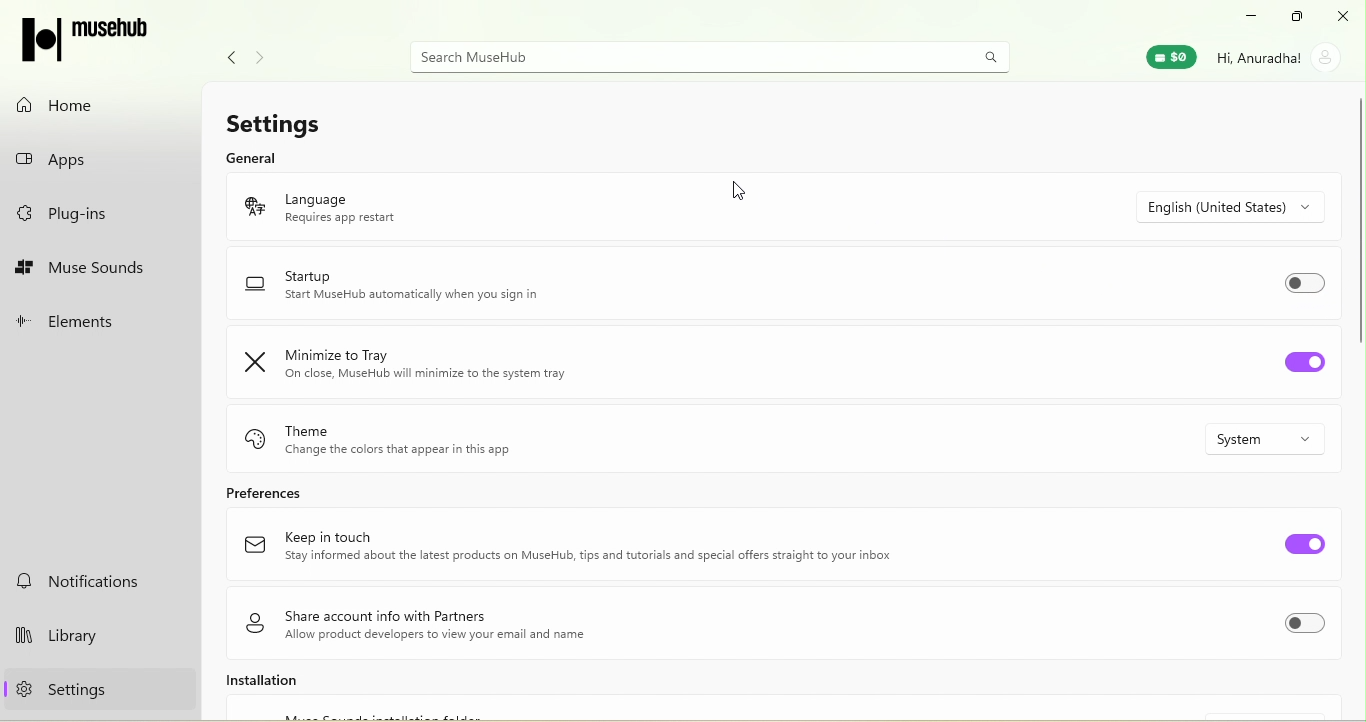 The image size is (1366, 722). Describe the element at coordinates (252, 159) in the screenshot. I see `General` at that location.